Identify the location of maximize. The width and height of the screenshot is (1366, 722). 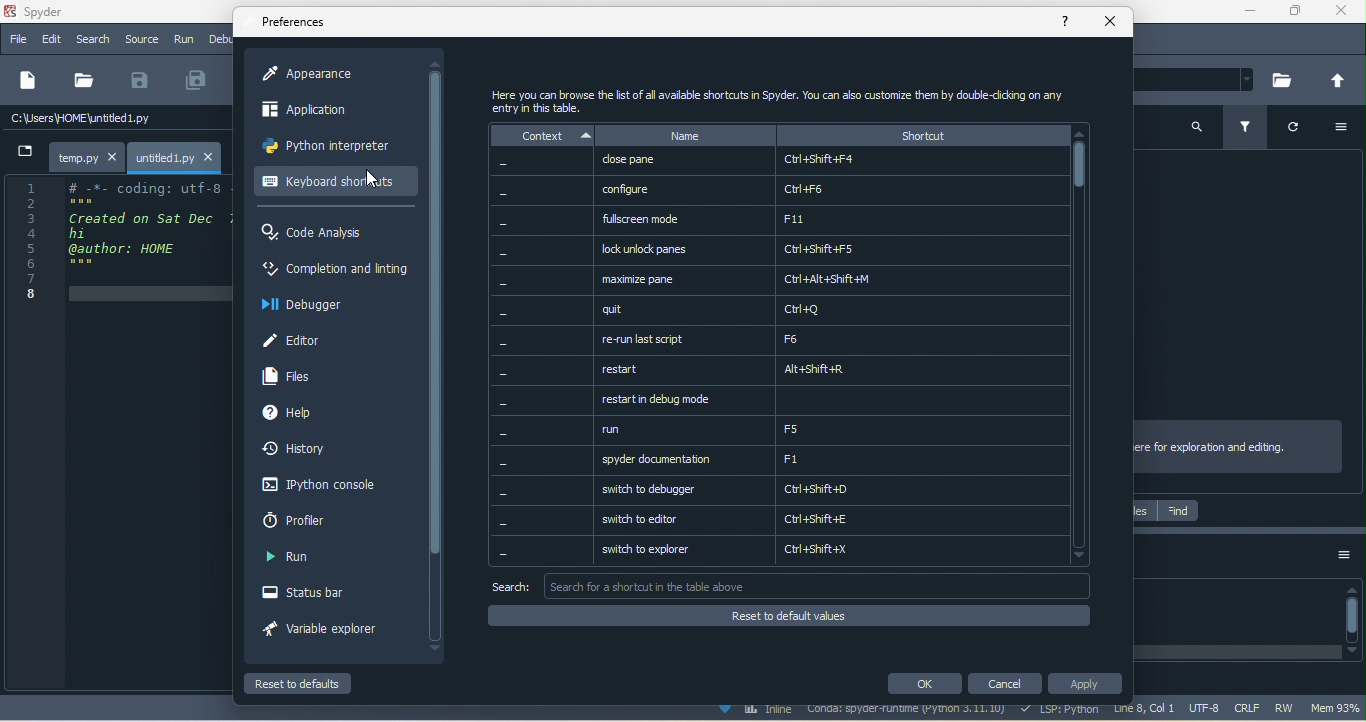
(1296, 12).